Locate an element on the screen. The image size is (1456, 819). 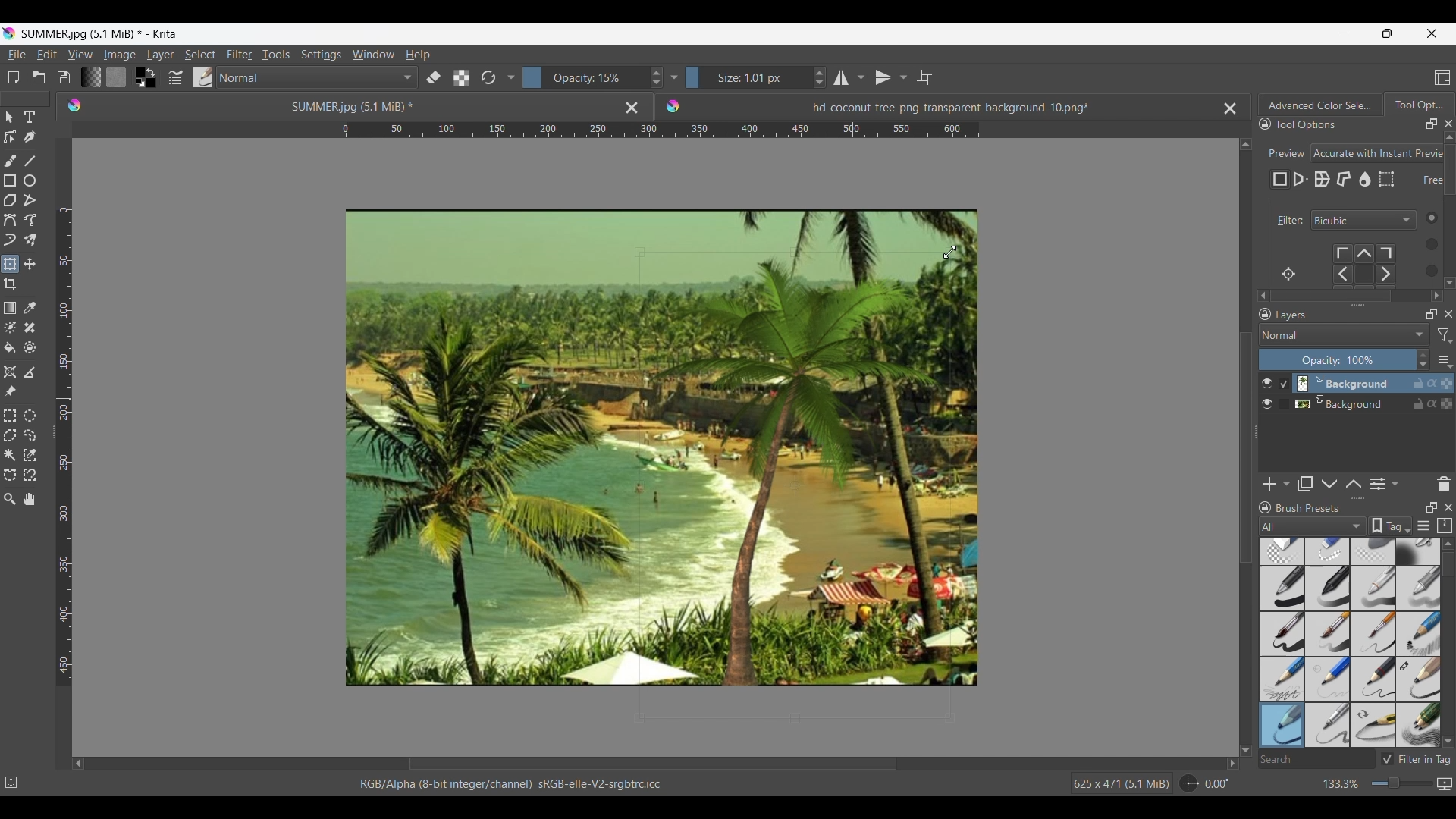
Down is located at coordinates (1447, 279).